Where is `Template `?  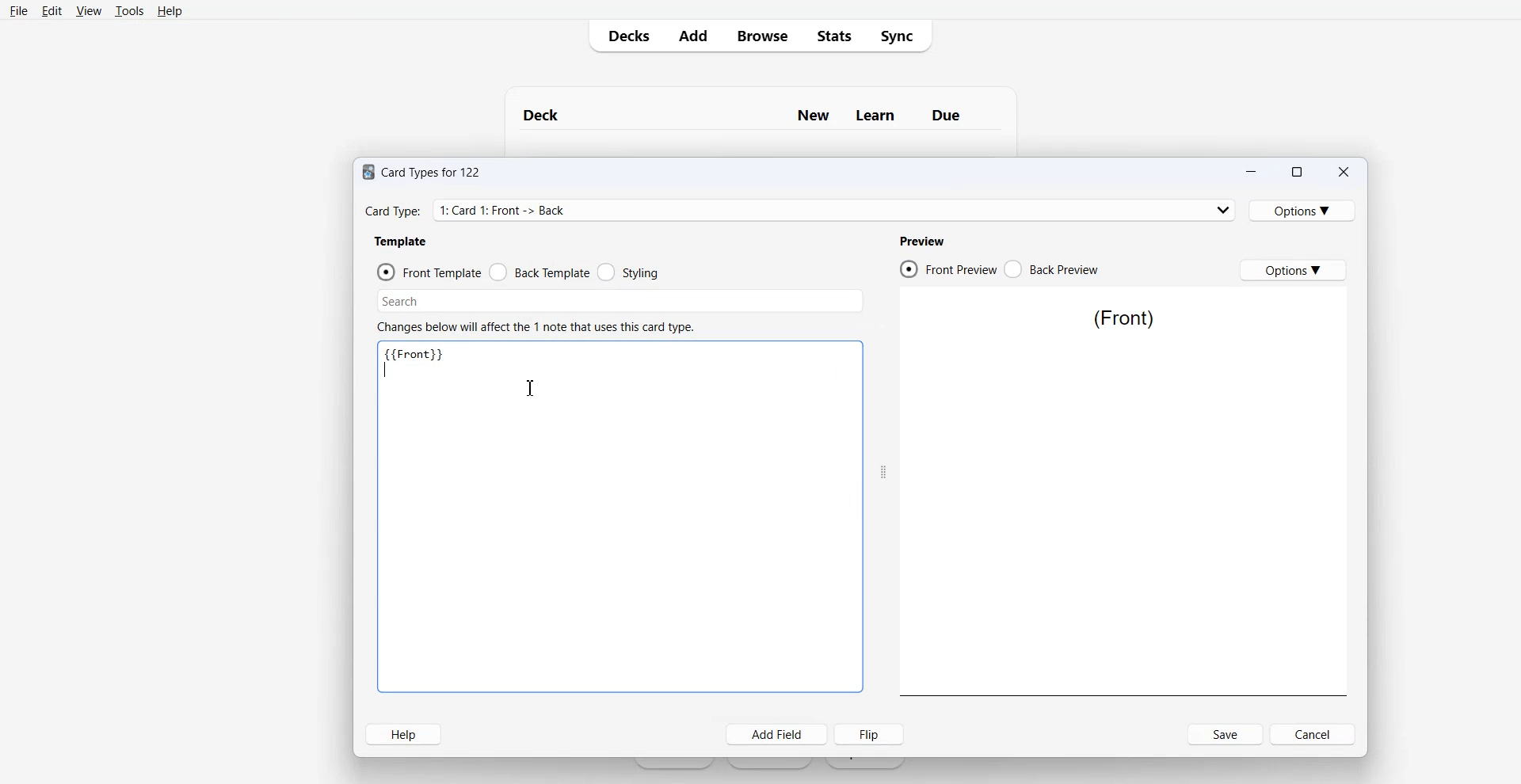
Template  is located at coordinates (402, 242).